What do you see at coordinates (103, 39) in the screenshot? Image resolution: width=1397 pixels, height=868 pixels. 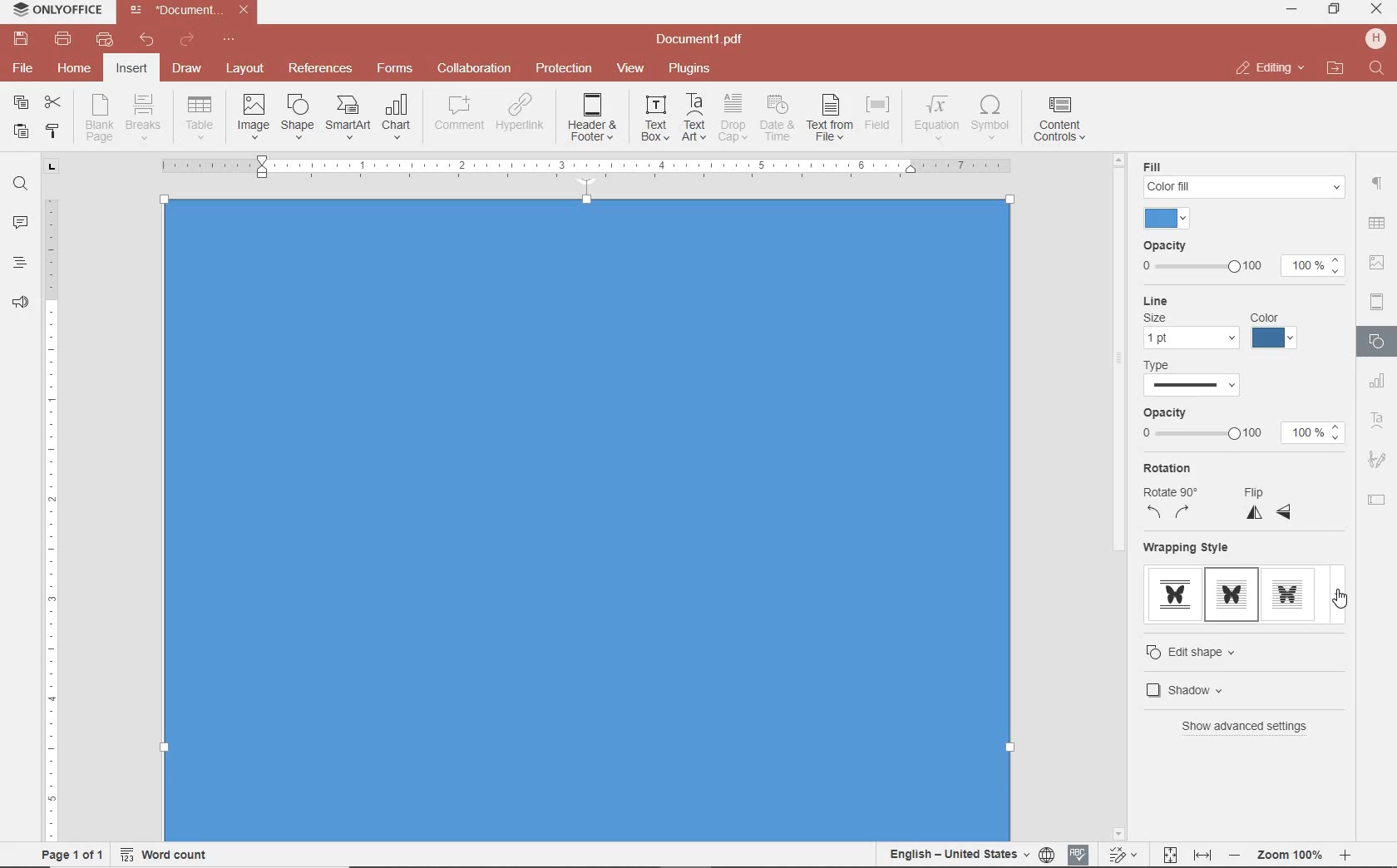 I see `quick print` at bounding box center [103, 39].